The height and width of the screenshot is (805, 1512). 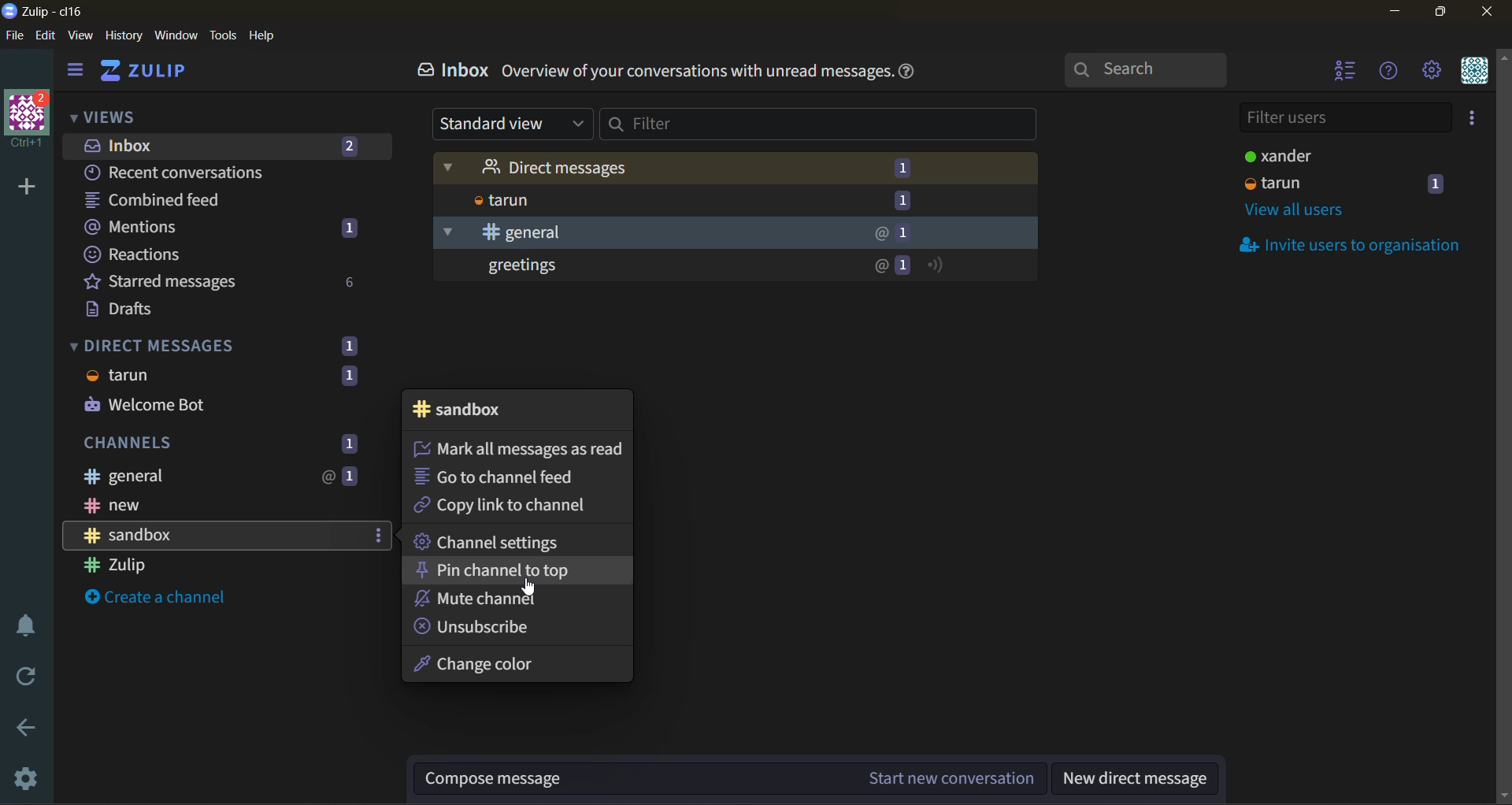 What do you see at coordinates (43, 10) in the screenshot?
I see `app name and organisation name` at bounding box center [43, 10].